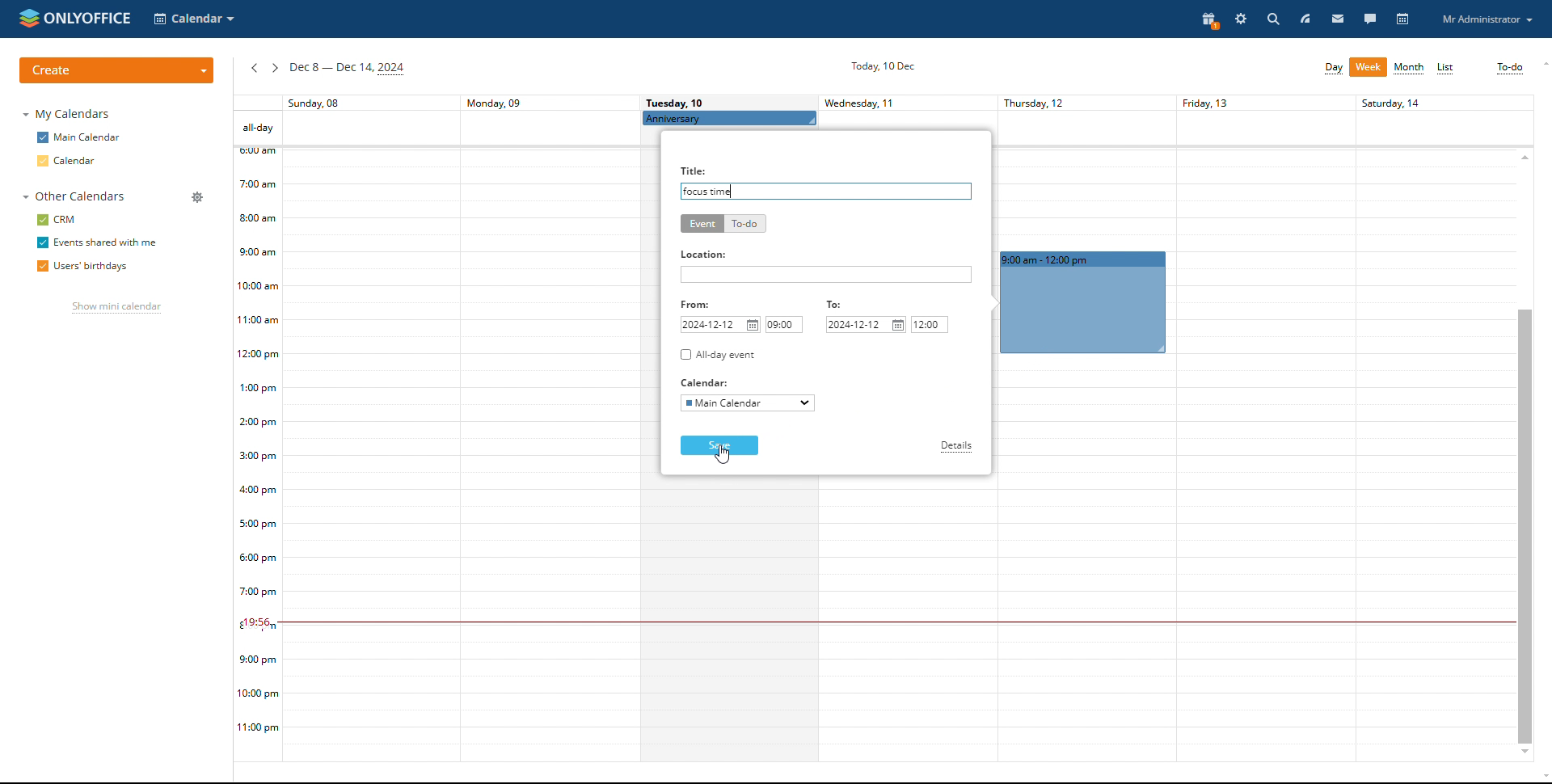  I want to click on start date, so click(721, 325).